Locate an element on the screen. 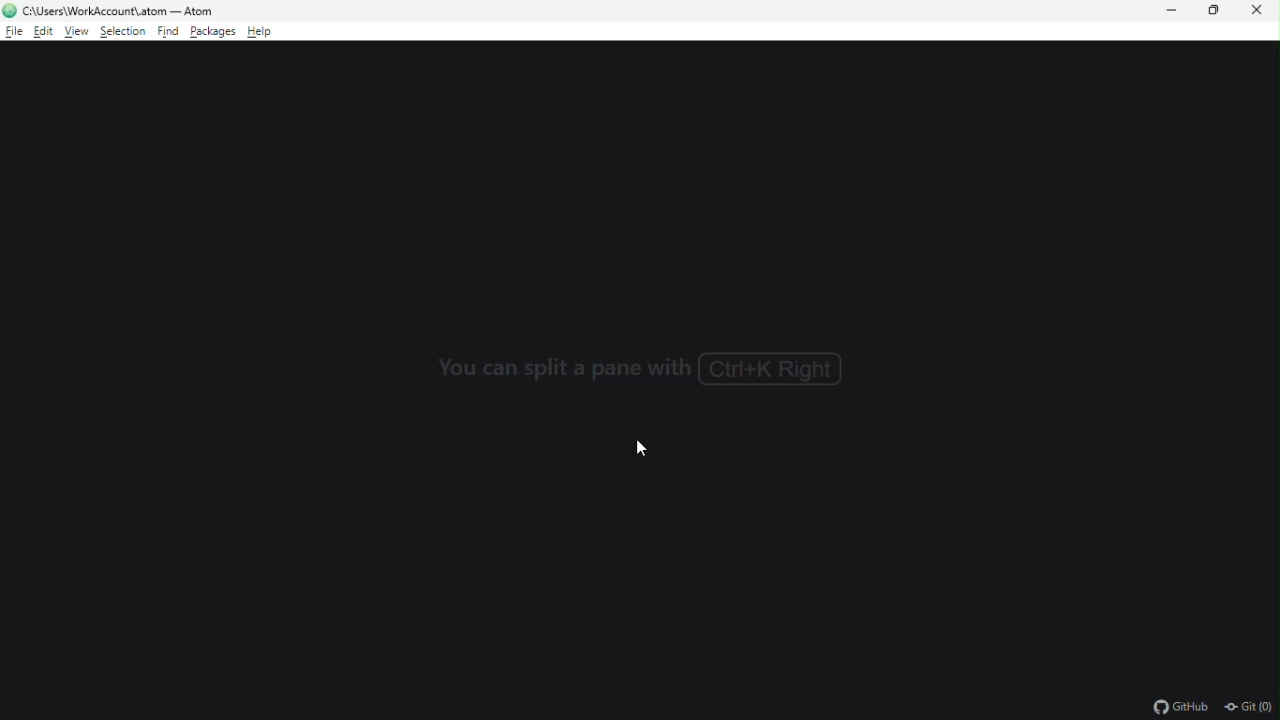  find  is located at coordinates (169, 34).